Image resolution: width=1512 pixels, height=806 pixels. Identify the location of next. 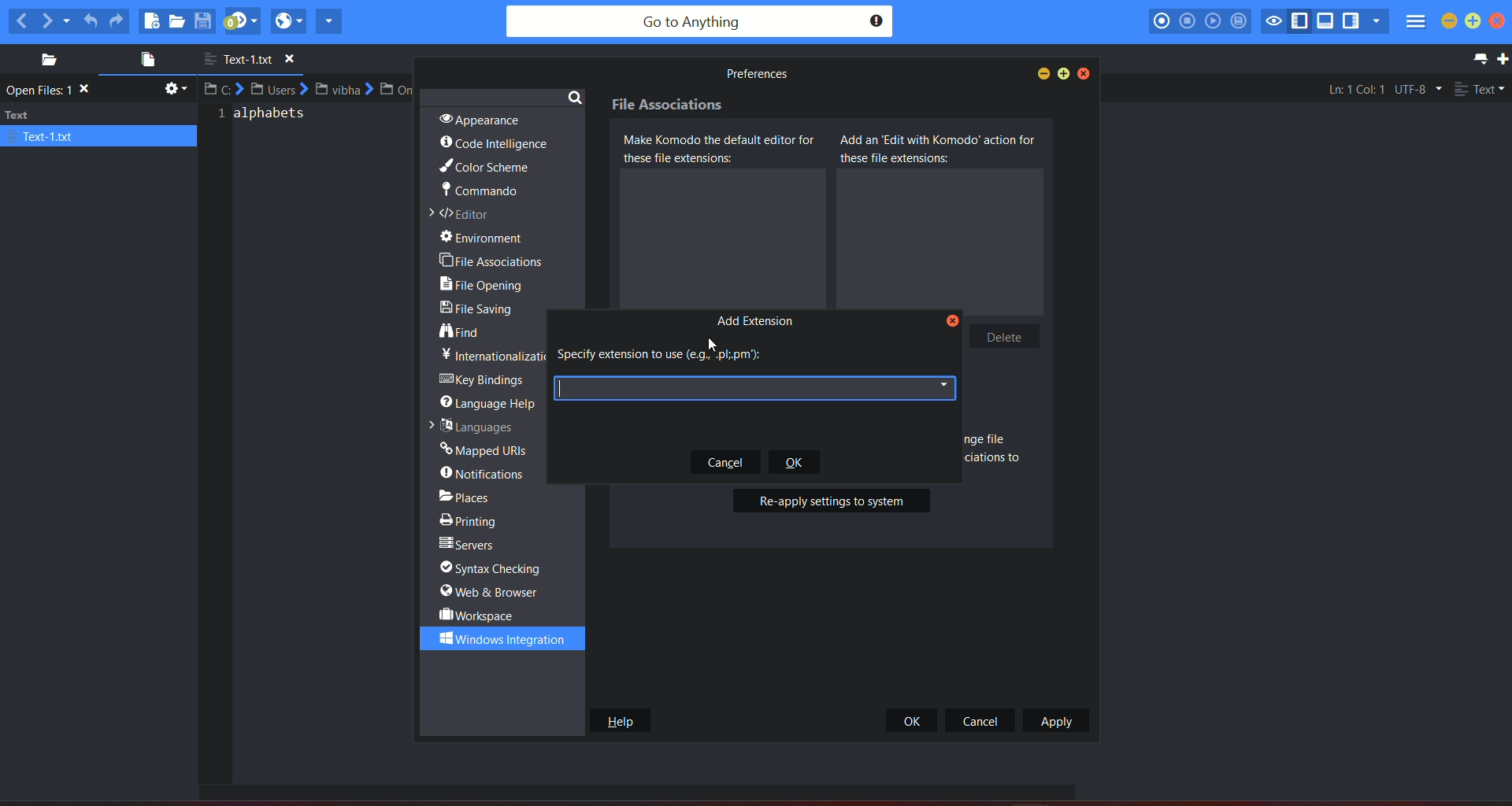
(56, 20).